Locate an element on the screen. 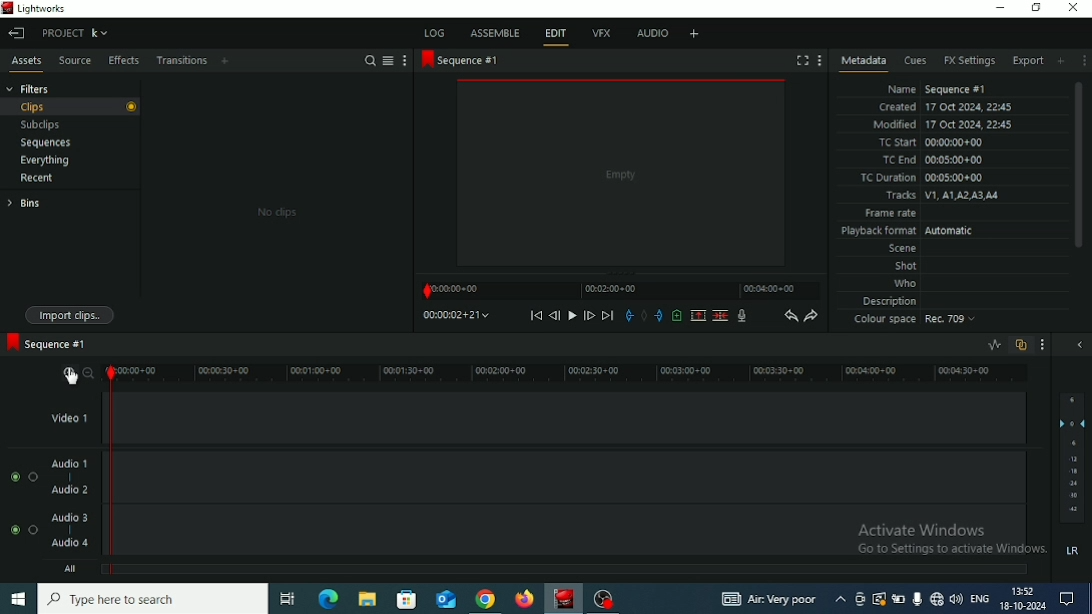 This screenshot has height=614, width=1092. Toggle audio levels editing is located at coordinates (993, 345).